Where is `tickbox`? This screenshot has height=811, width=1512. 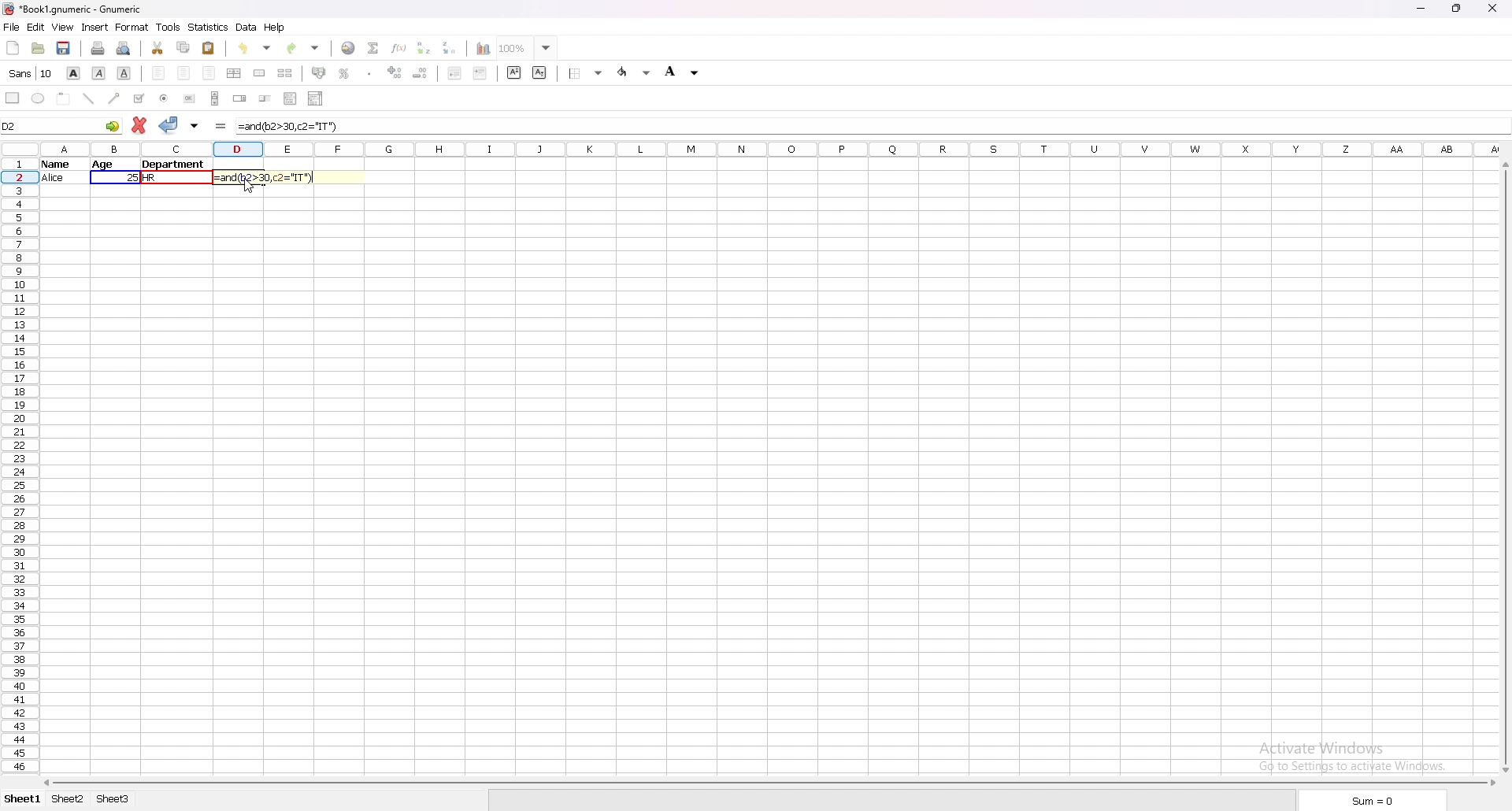
tickbox is located at coordinates (139, 98).